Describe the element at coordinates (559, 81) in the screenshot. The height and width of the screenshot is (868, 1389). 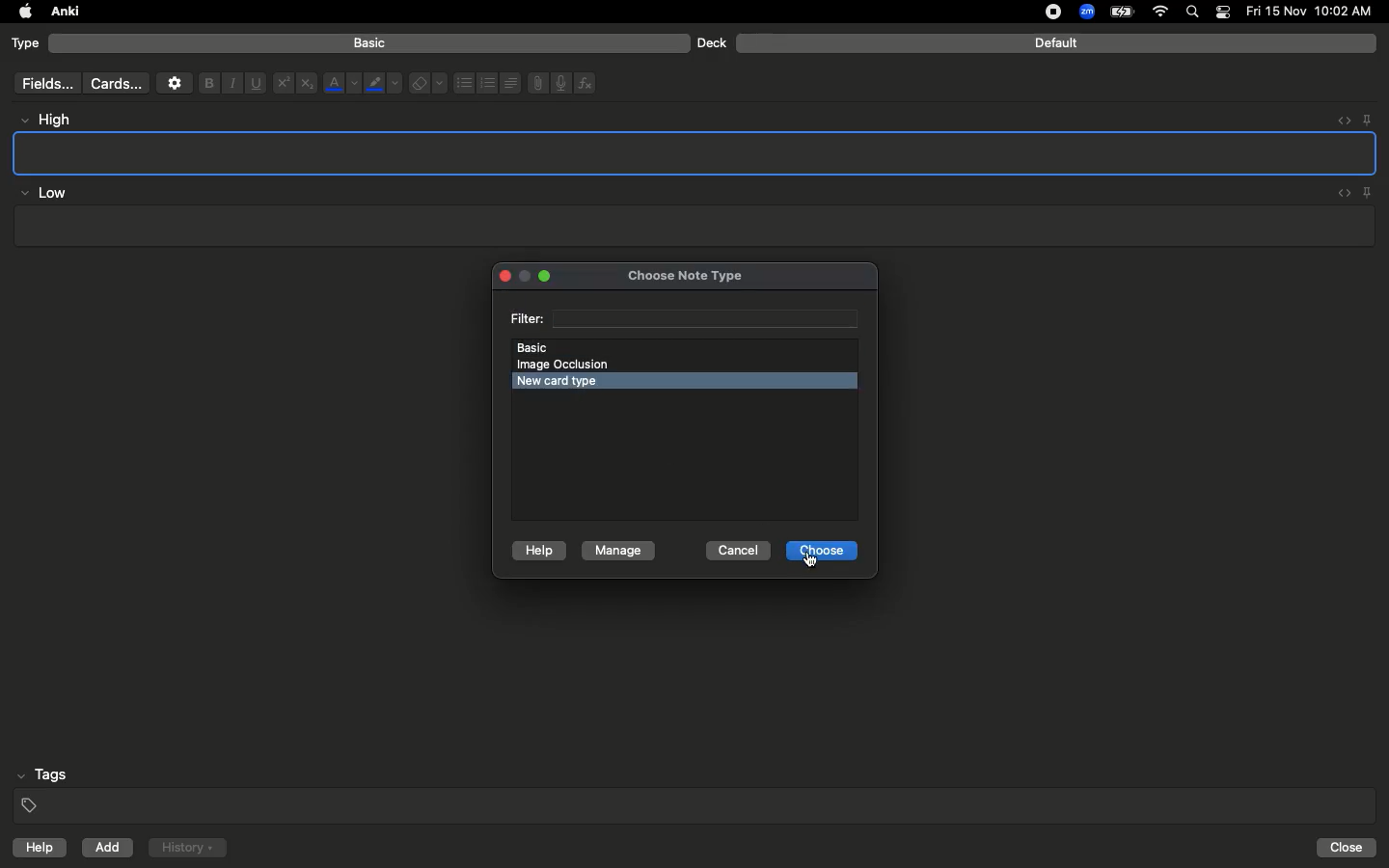
I see `Voice recorder` at that location.